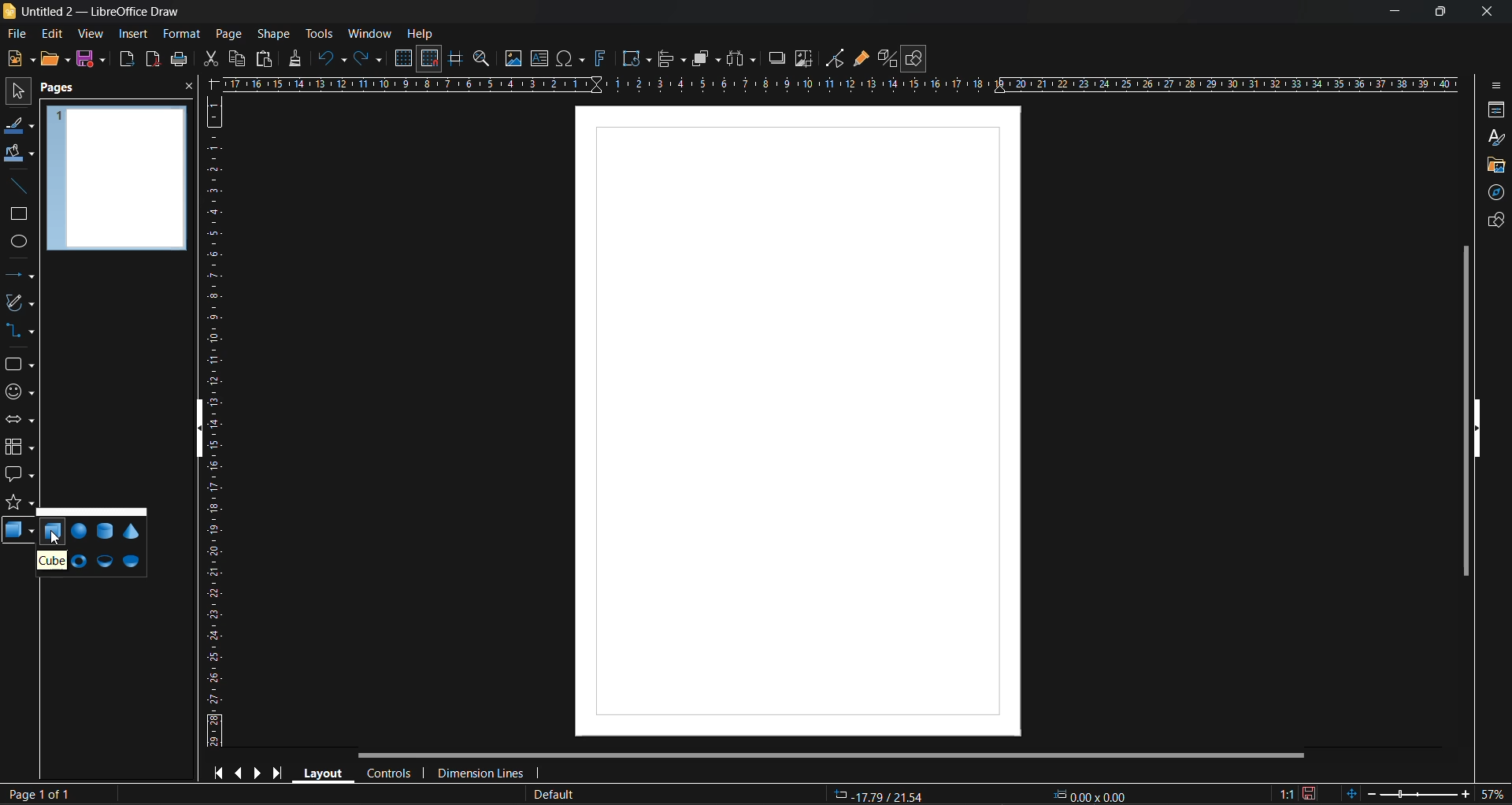 This screenshot has height=805, width=1512. Describe the element at coordinates (275, 772) in the screenshot. I see `last` at that location.